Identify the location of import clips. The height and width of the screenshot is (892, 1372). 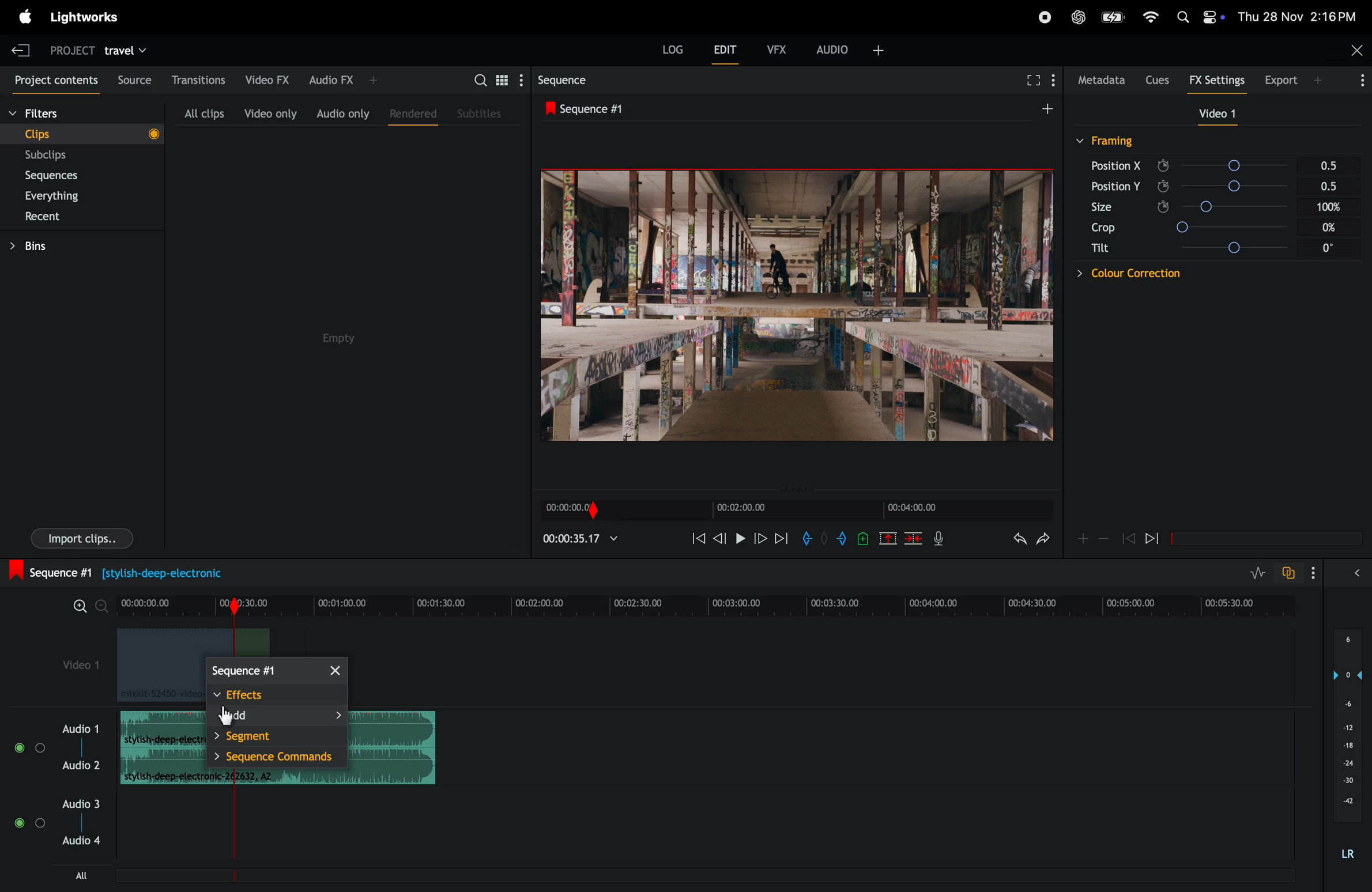
(77, 541).